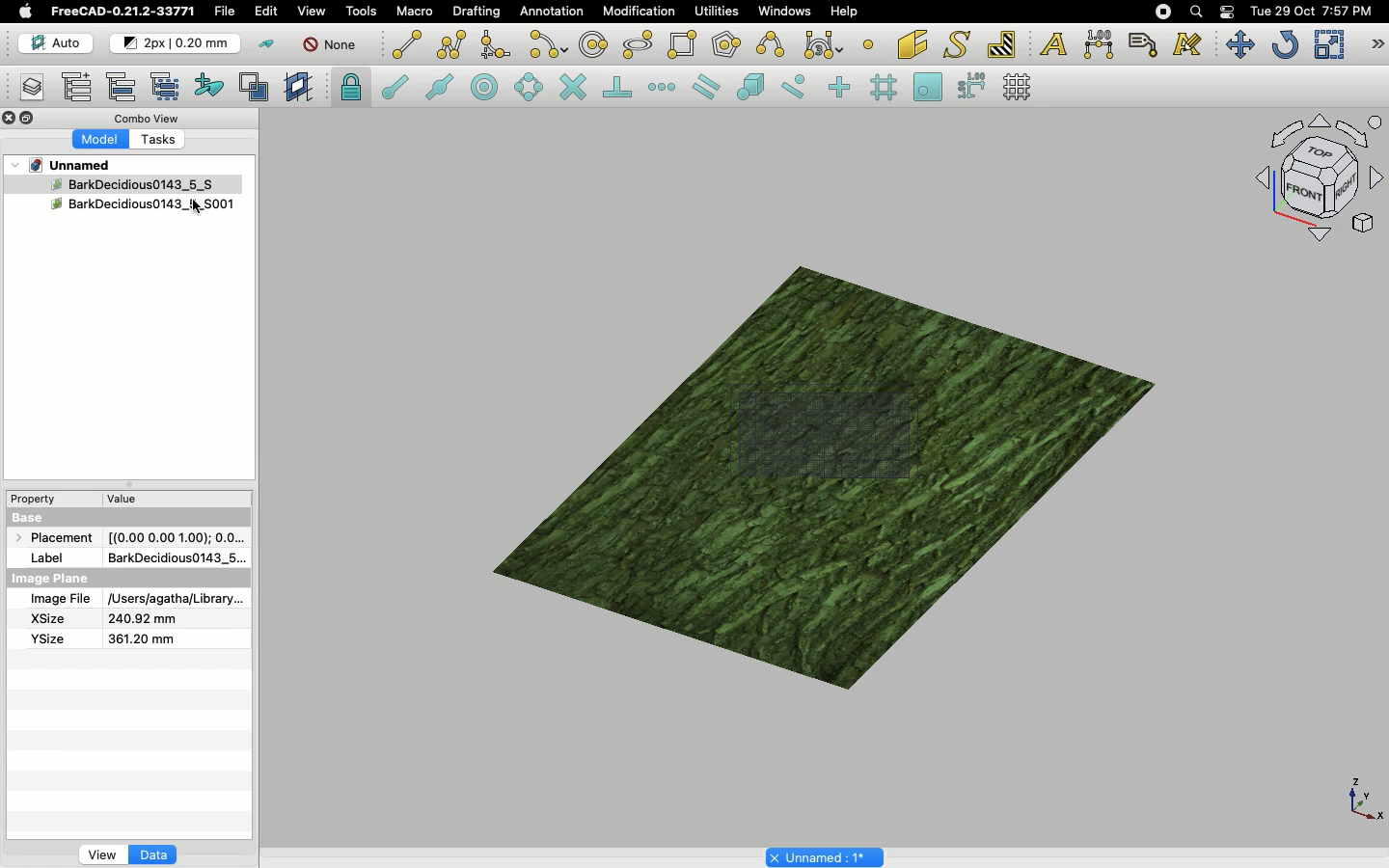  What do you see at coordinates (267, 44) in the screenshot?
I see `Toggle construction mode` at bounding box center [267, 44].